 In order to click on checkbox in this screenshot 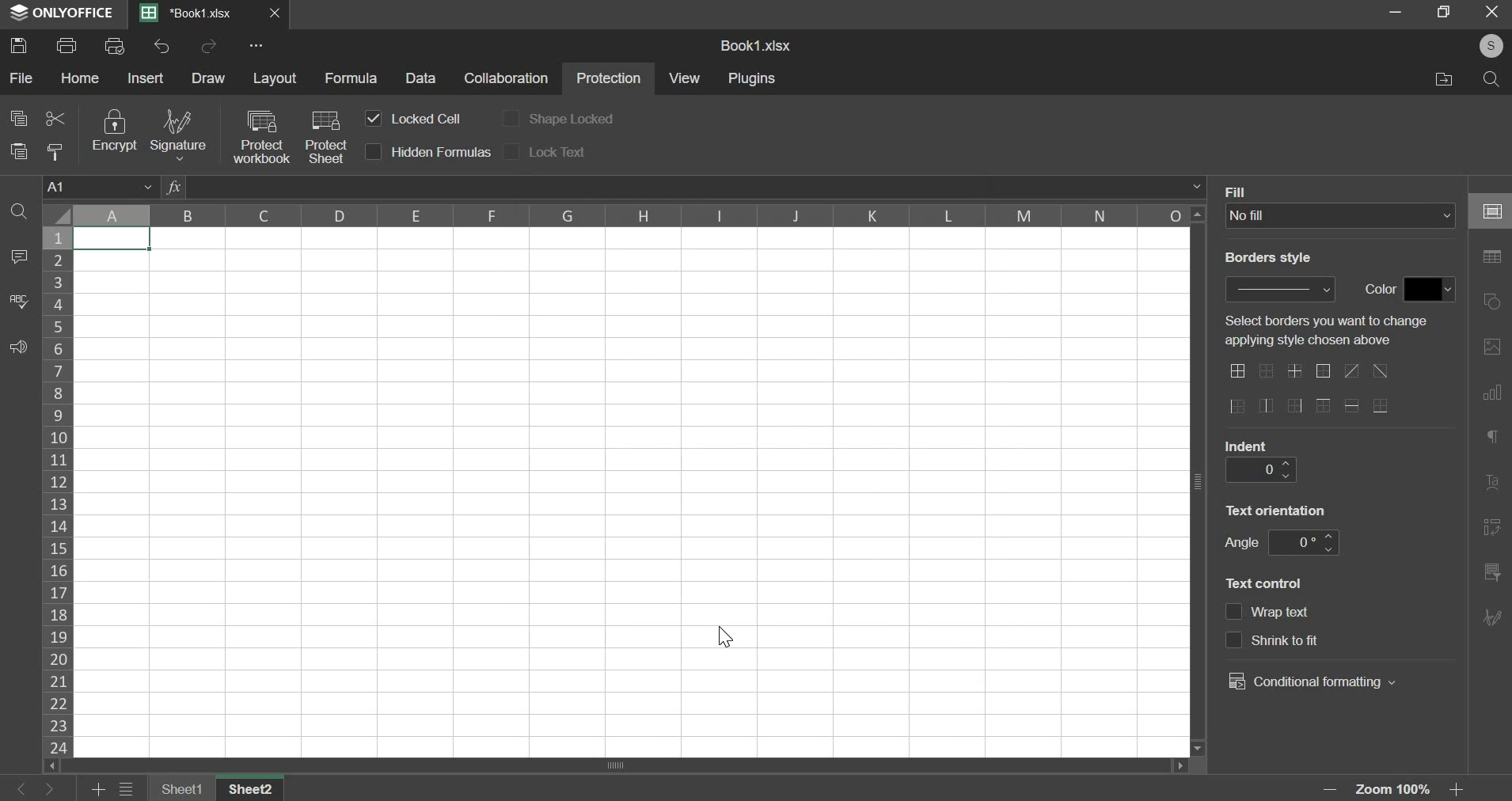, I will do `click(514, 150)`.